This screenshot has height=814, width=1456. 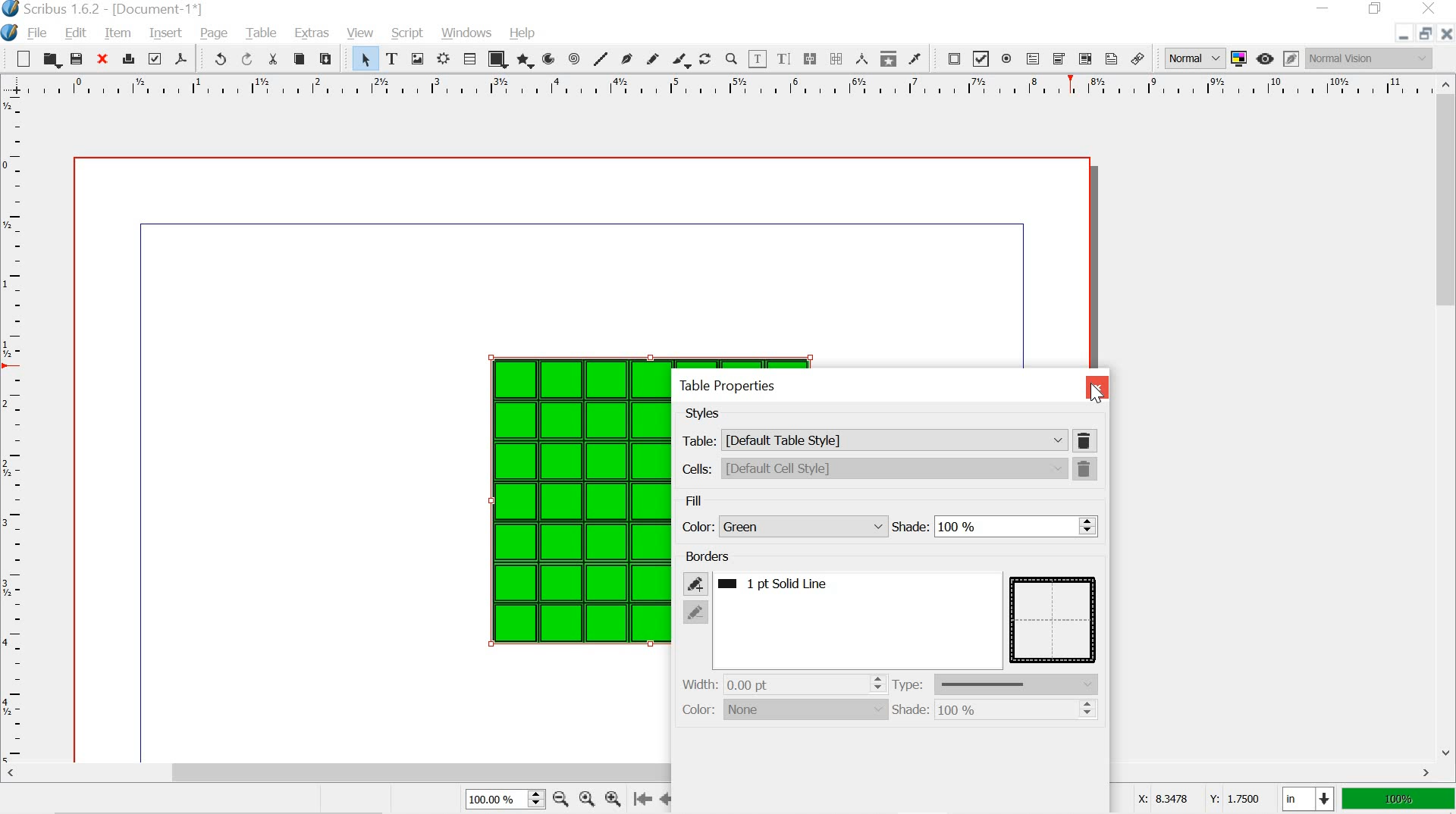 I want to click on paste, so click(x=331, y=61).